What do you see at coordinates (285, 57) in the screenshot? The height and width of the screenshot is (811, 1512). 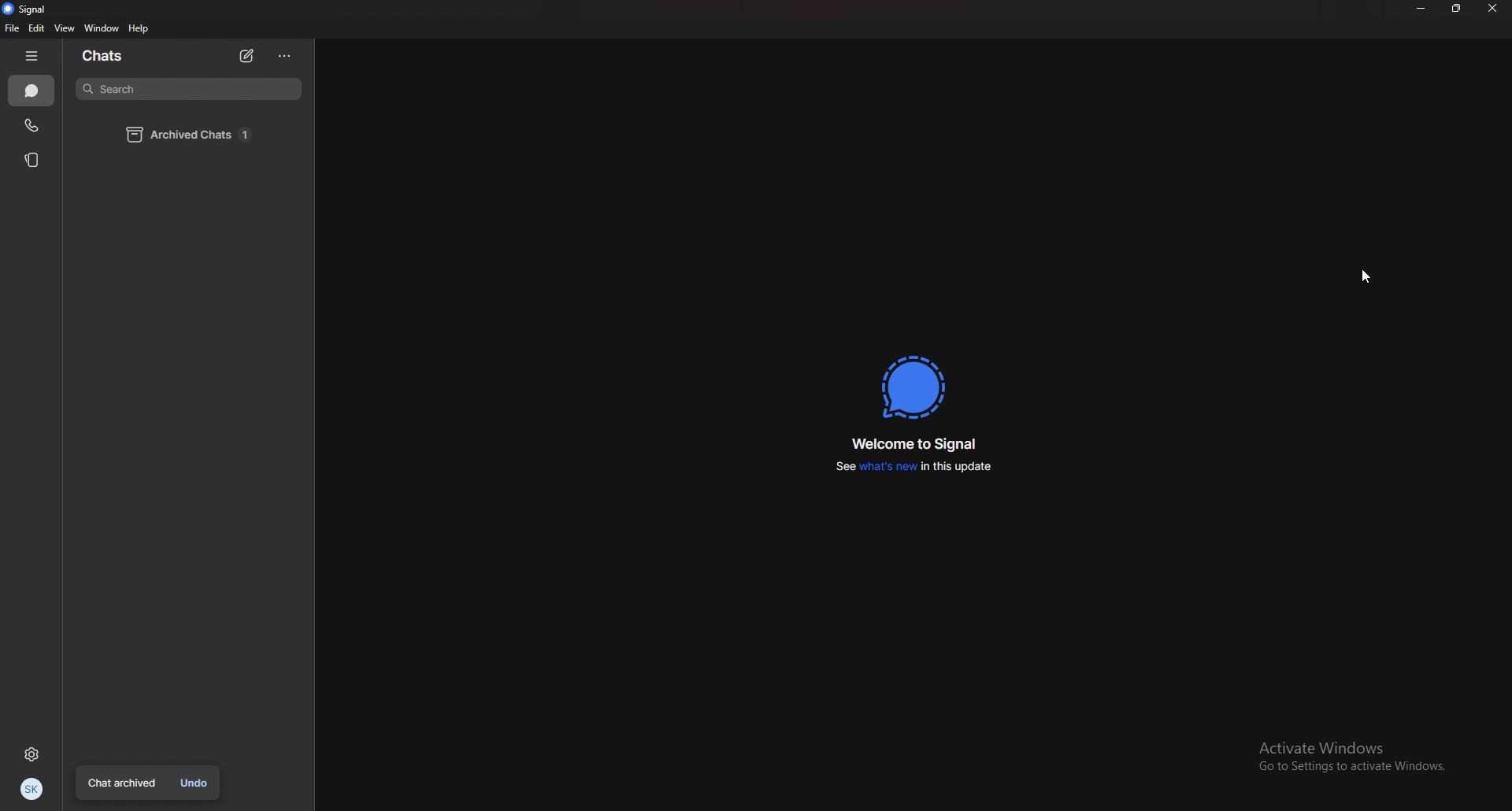 I see `Options` at bounding box center [285, 57].